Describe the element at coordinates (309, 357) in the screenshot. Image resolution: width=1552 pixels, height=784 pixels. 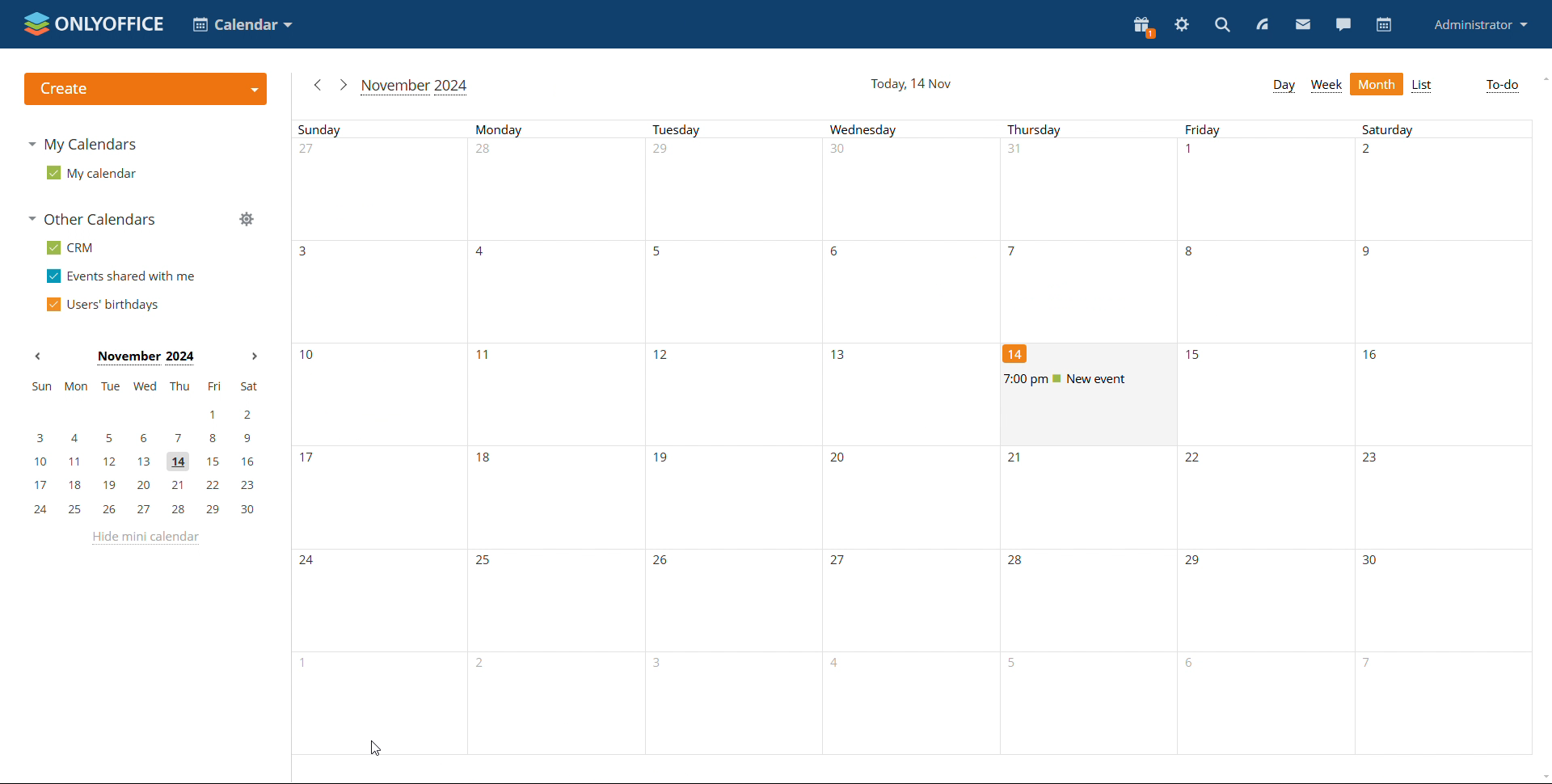
I see `number` at that location.